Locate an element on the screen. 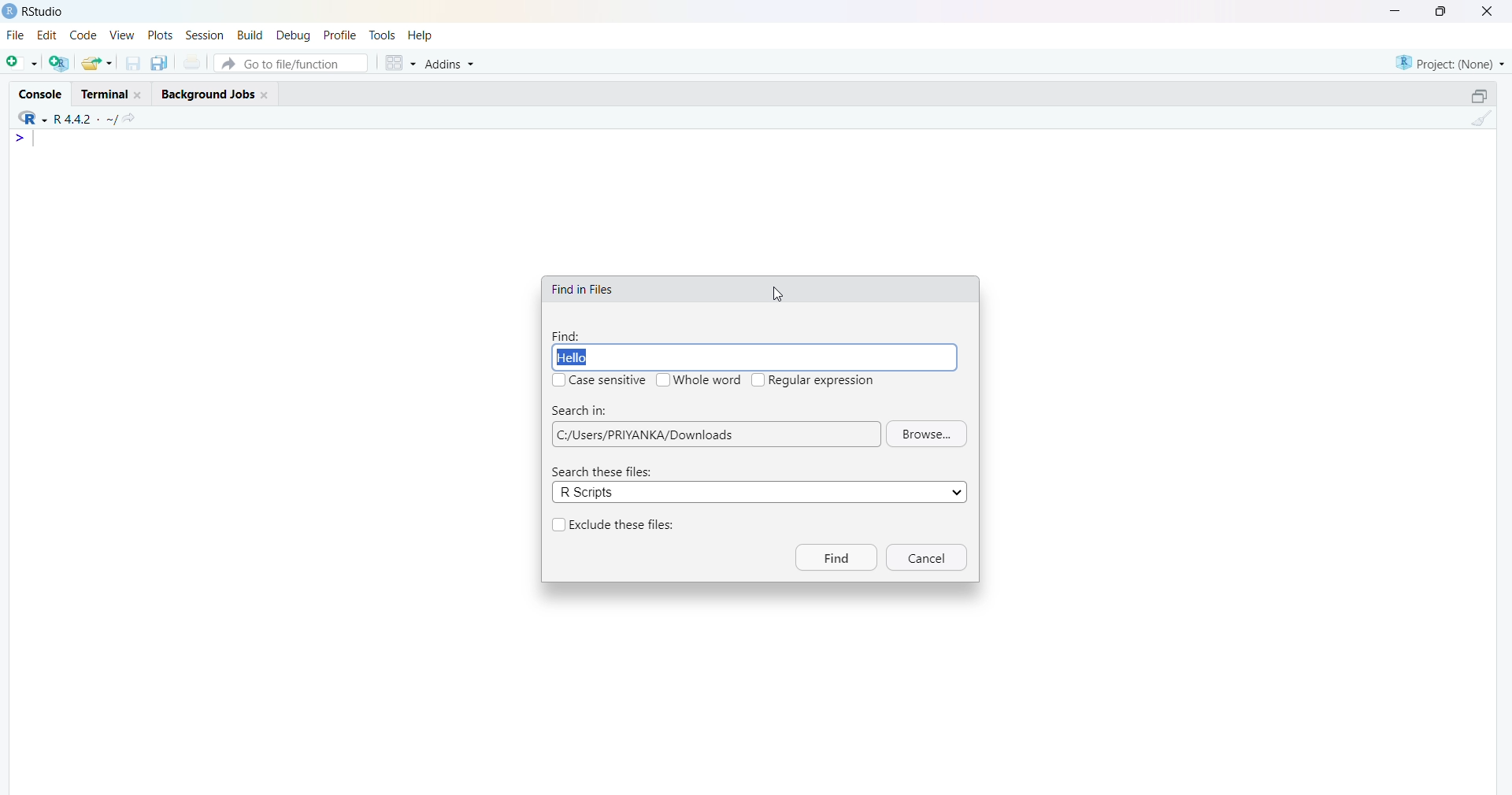 Image resolution: width=1512 pixels, height=795 pixels. Help is located at coordinates (421, 35).